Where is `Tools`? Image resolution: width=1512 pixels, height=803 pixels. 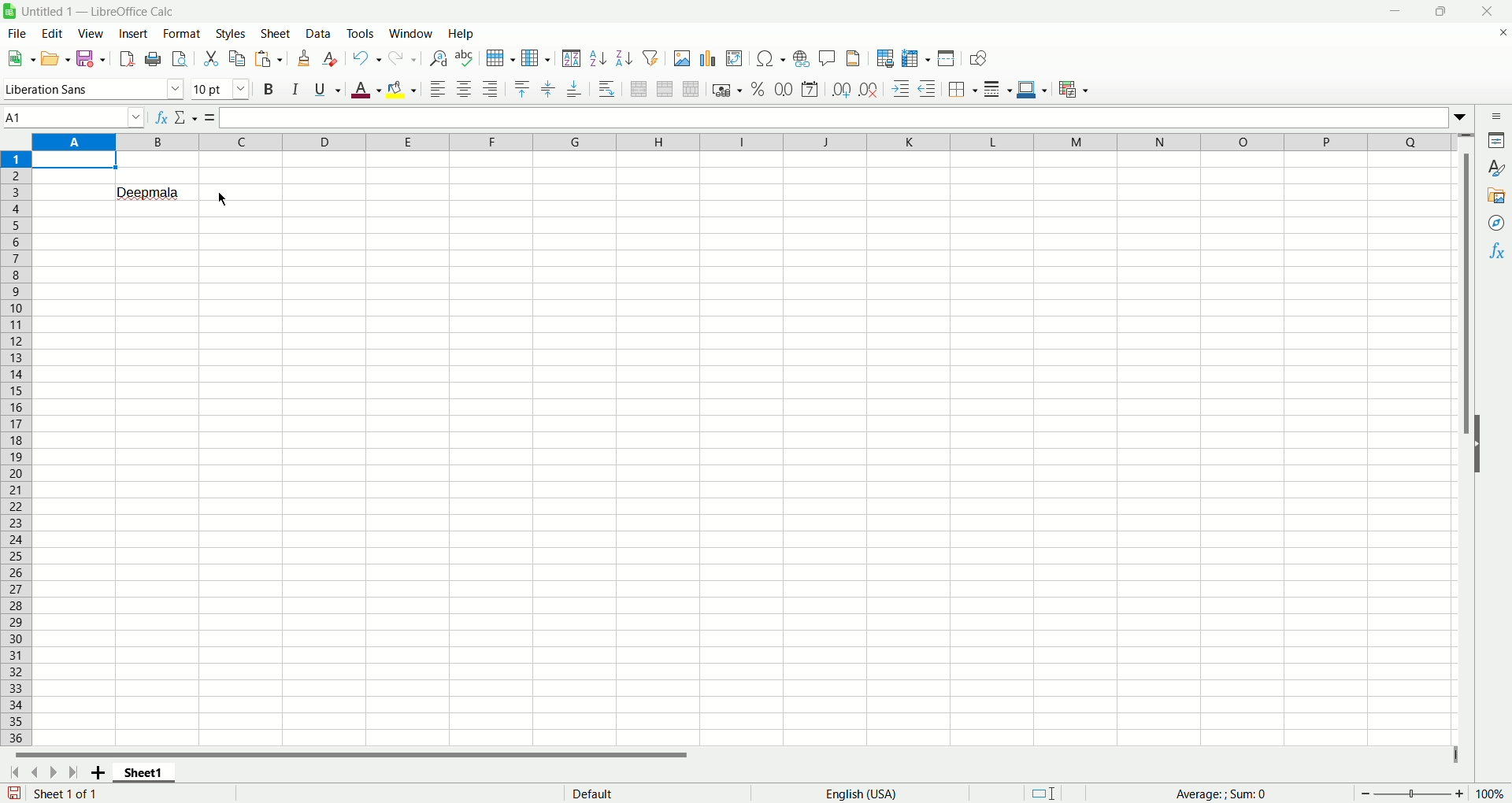 Tools is located at coordinates (361, 33).